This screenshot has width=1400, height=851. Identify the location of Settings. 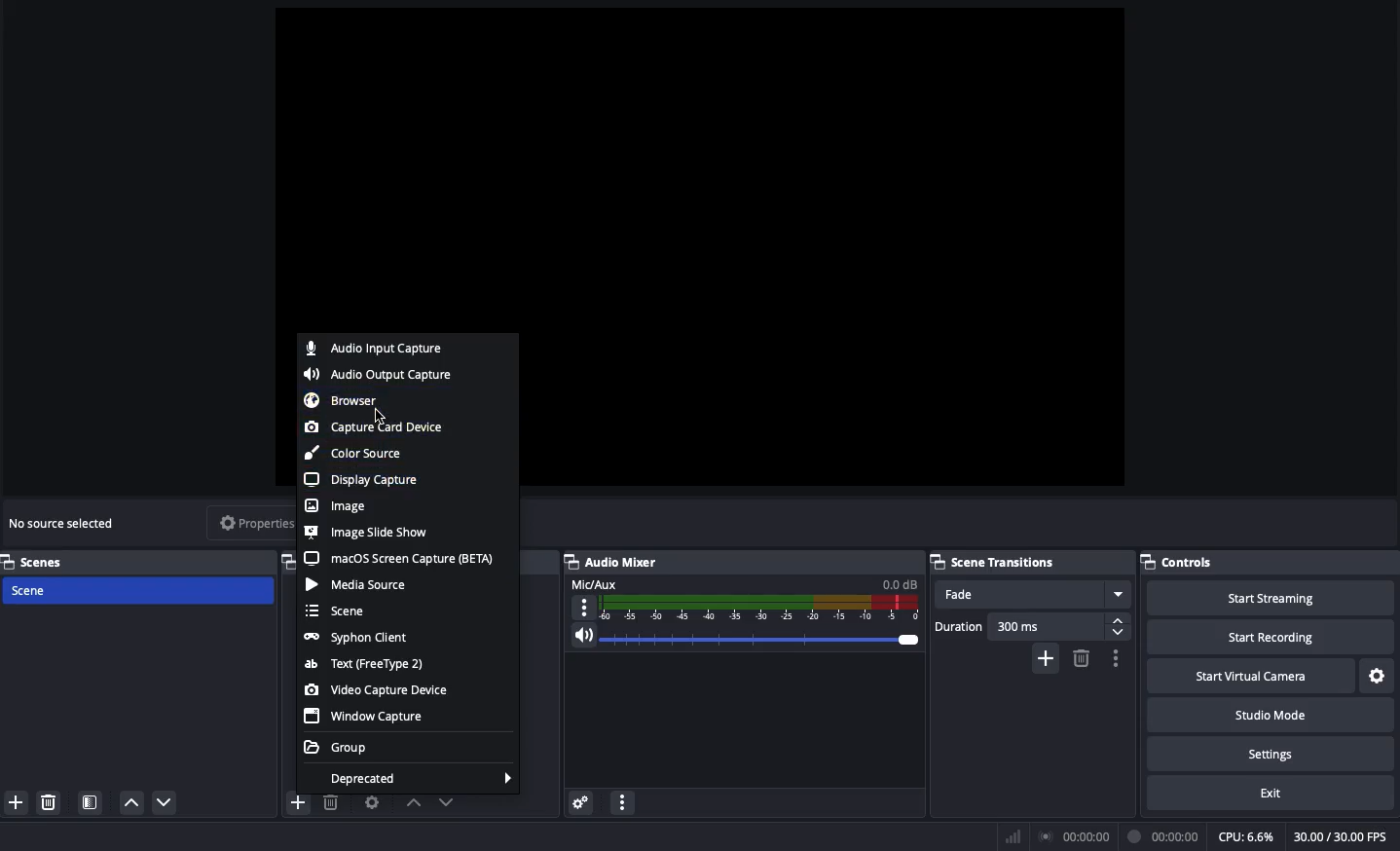
(582, 802).